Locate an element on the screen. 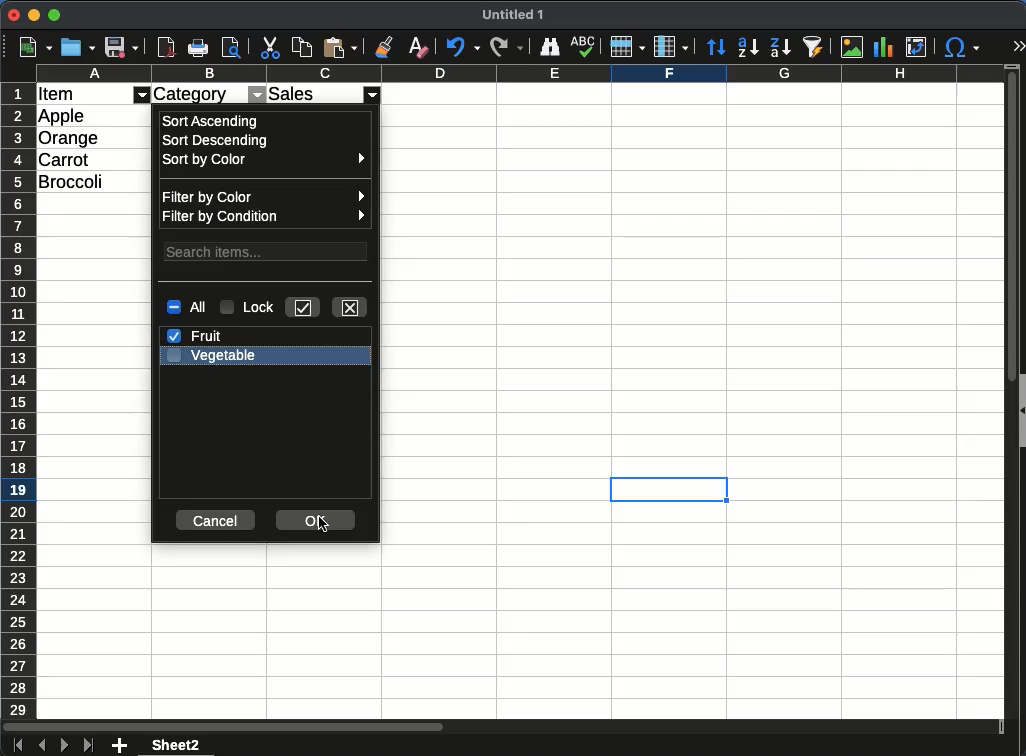  close is located at coordinates (13, 15).